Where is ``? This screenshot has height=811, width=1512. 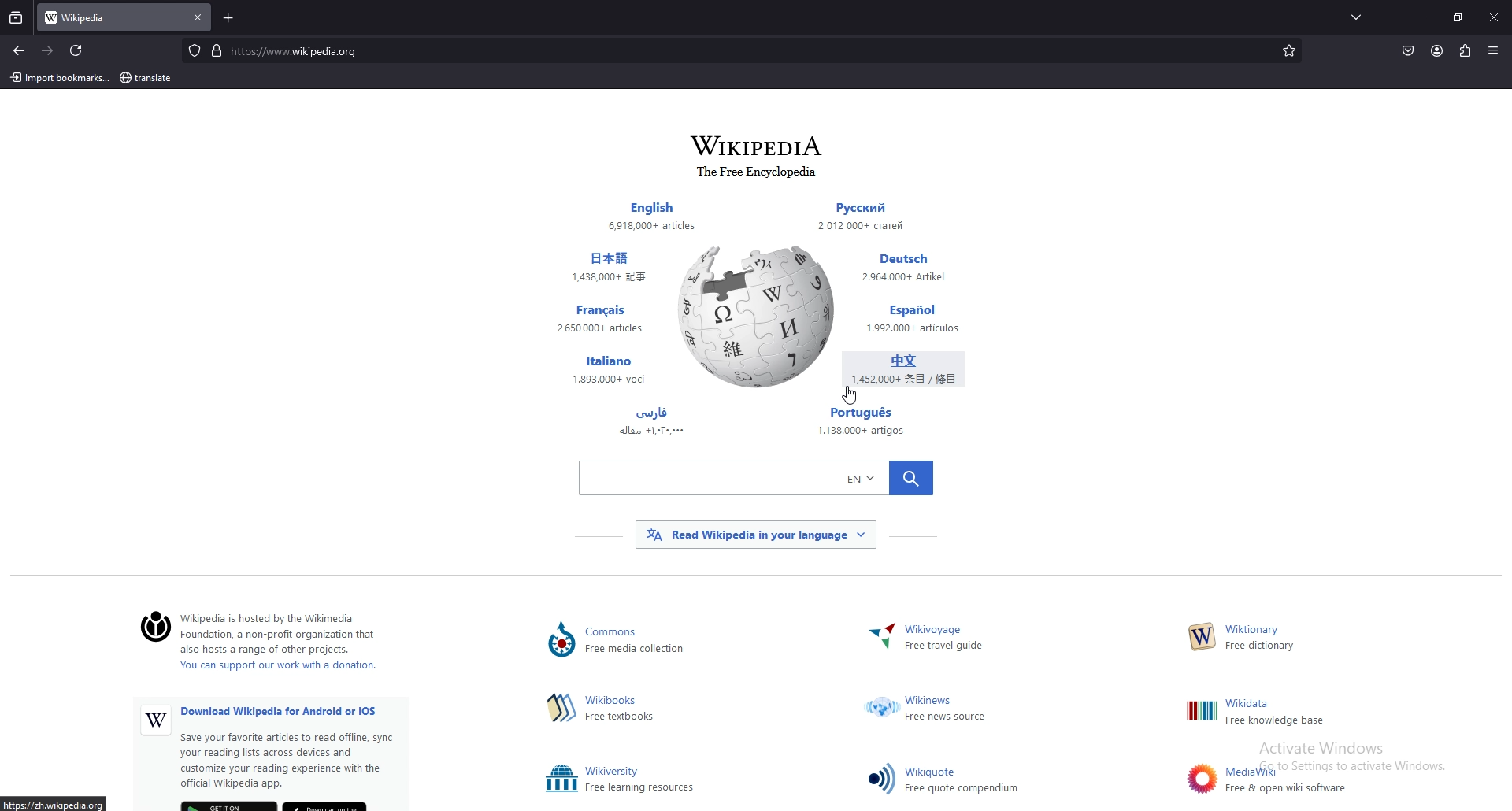
 is located at coordinates (642, 780).